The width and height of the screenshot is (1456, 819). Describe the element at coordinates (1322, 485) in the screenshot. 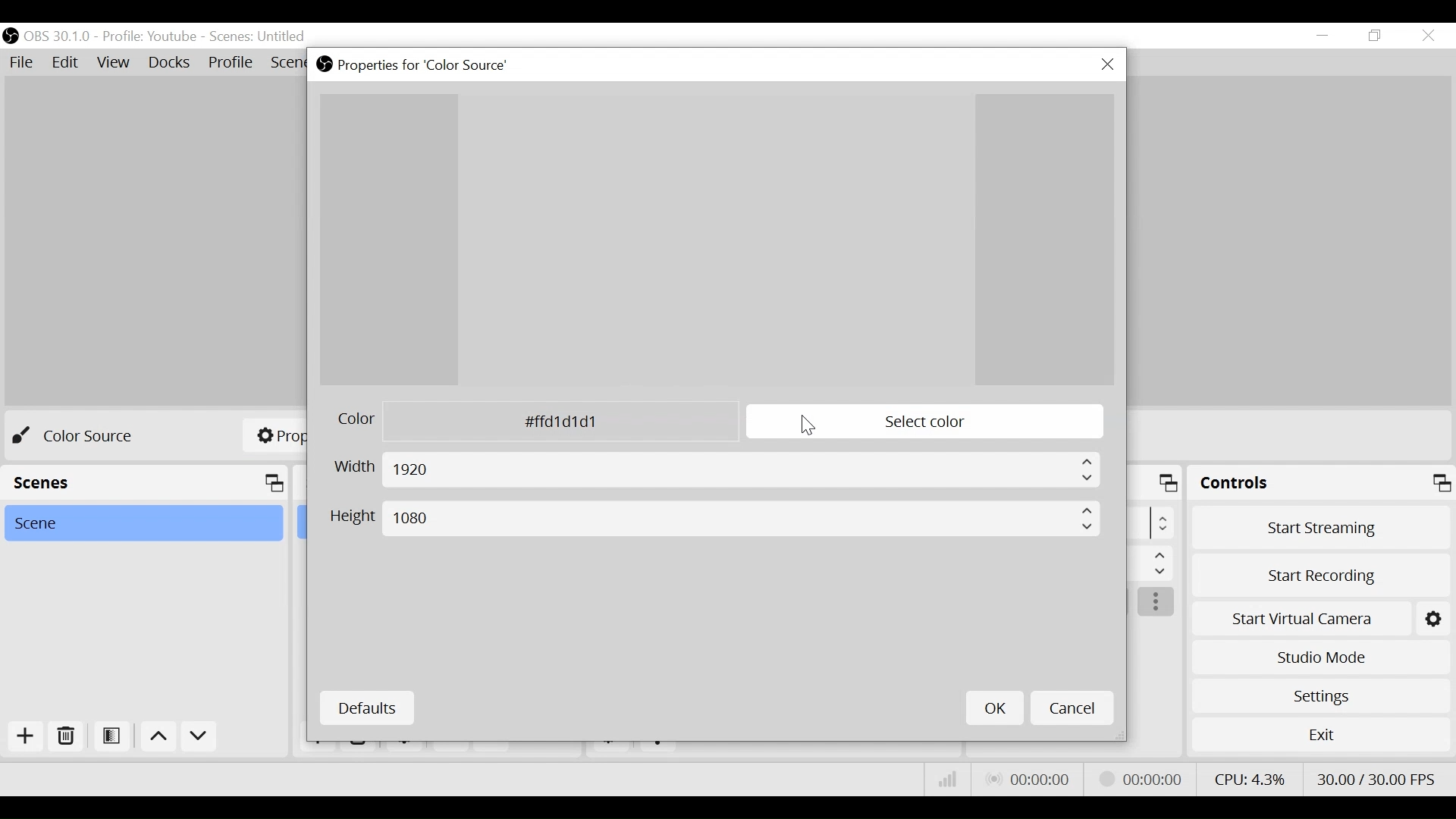

I see `Controls` at that location.